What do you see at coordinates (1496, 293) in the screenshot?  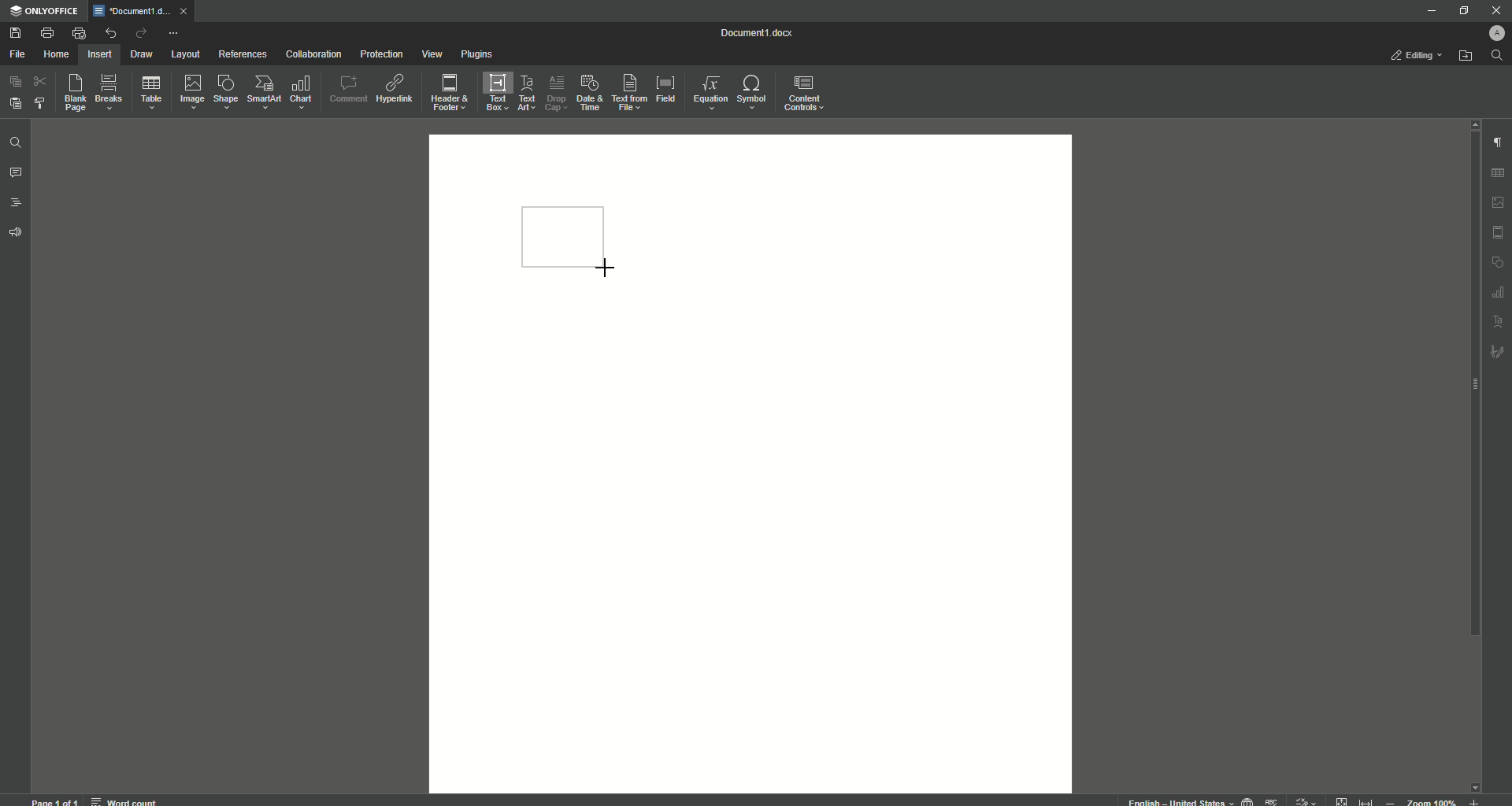 I see `table` at bounding box center [1496, 293].